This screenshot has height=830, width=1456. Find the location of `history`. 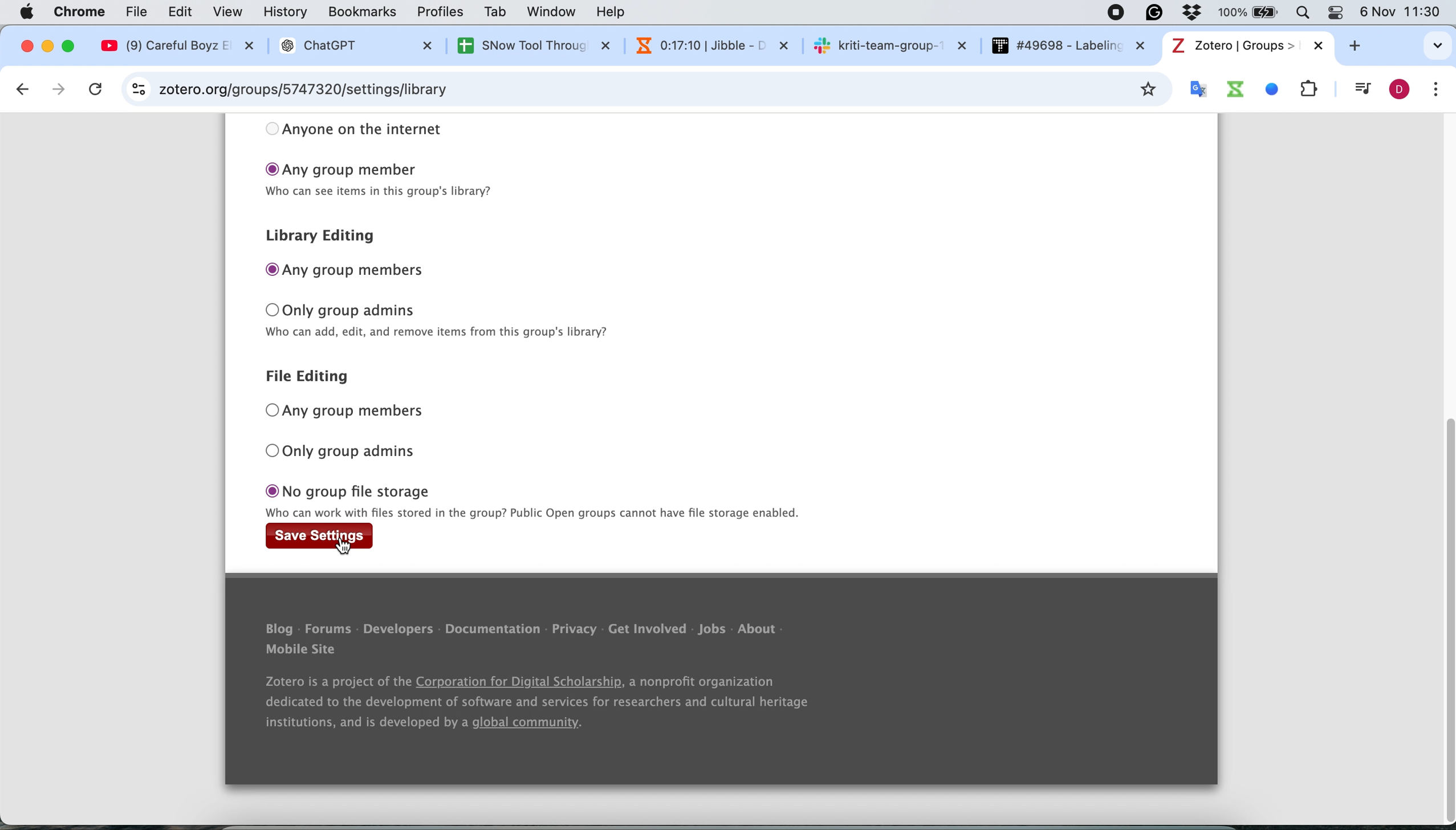

history is located at coordinates (289, 13).